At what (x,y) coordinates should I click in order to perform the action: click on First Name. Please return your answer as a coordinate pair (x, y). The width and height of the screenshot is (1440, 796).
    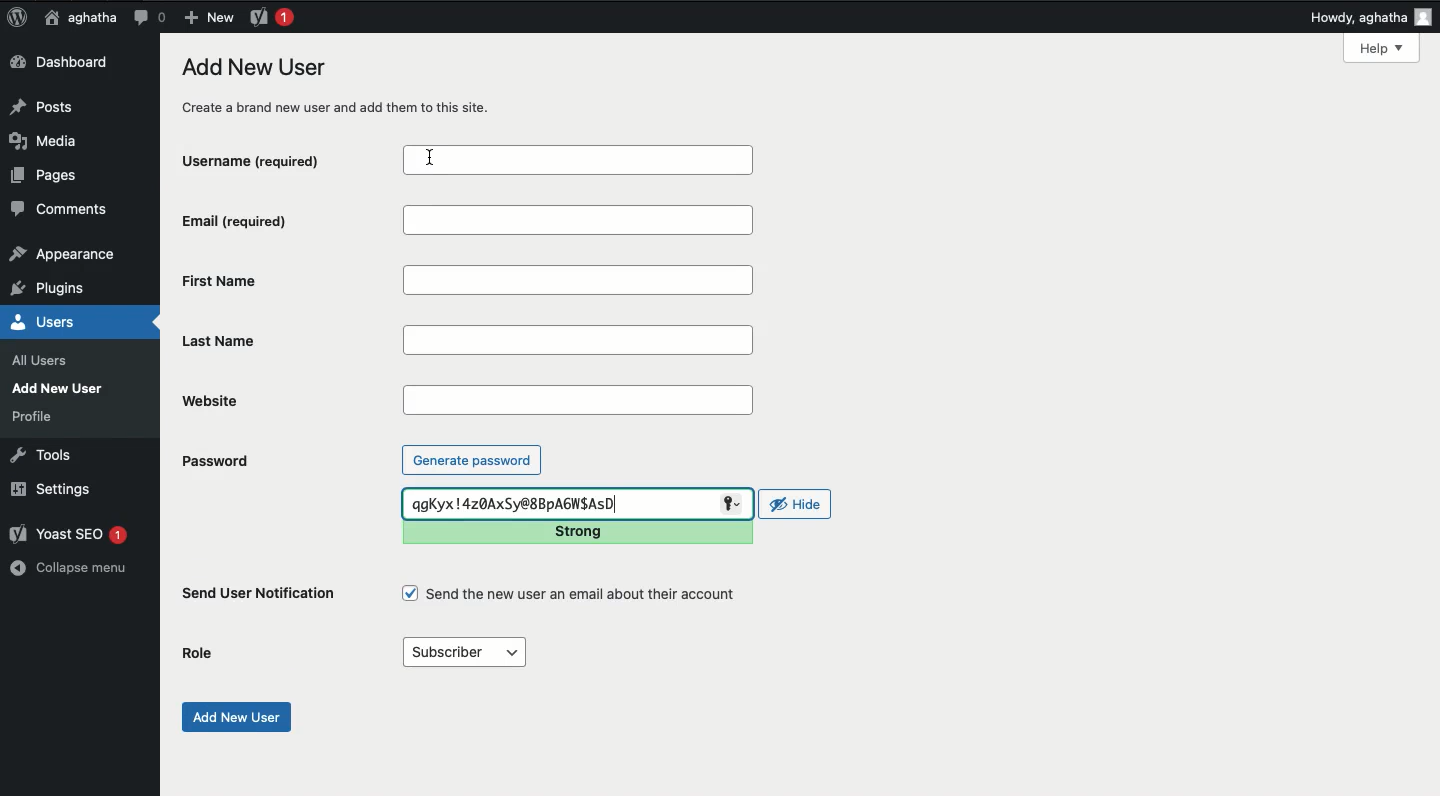
    Looking at the image, I should click on (286, 280).